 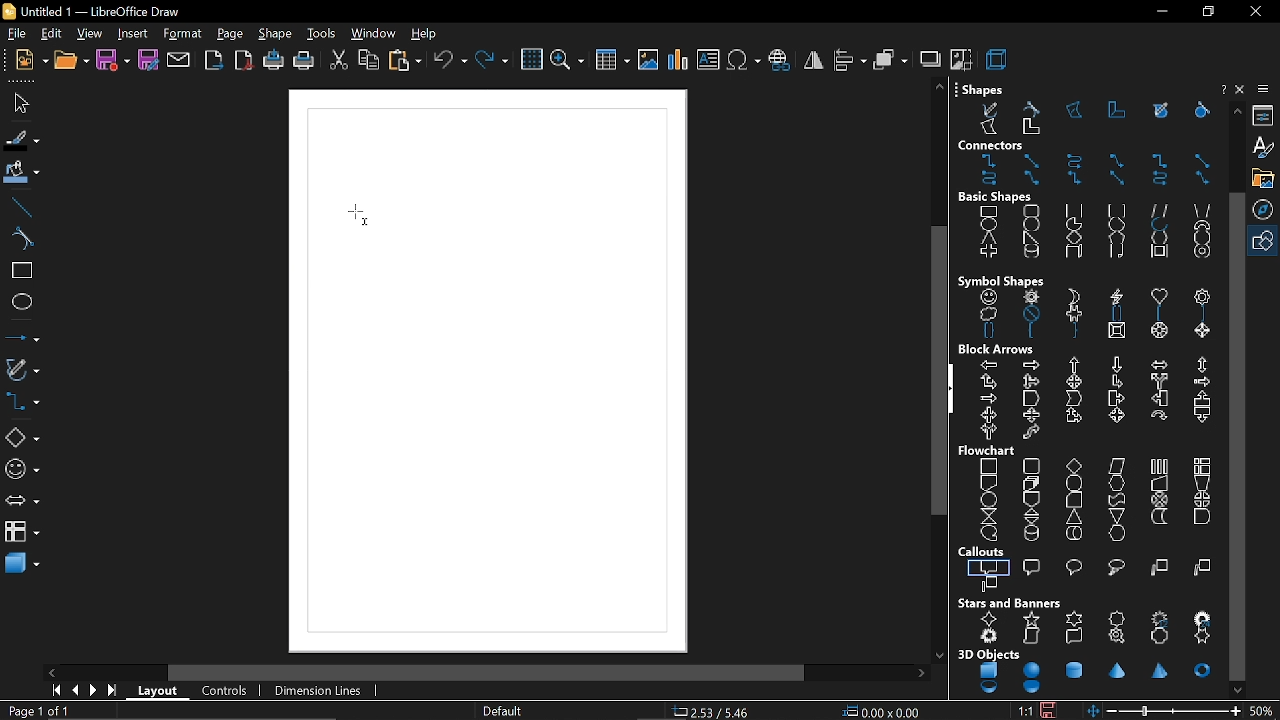 What do you see at coordinates (1117, 515) in the screenshot?
I see `merge` at bounding box center [1117, 515].